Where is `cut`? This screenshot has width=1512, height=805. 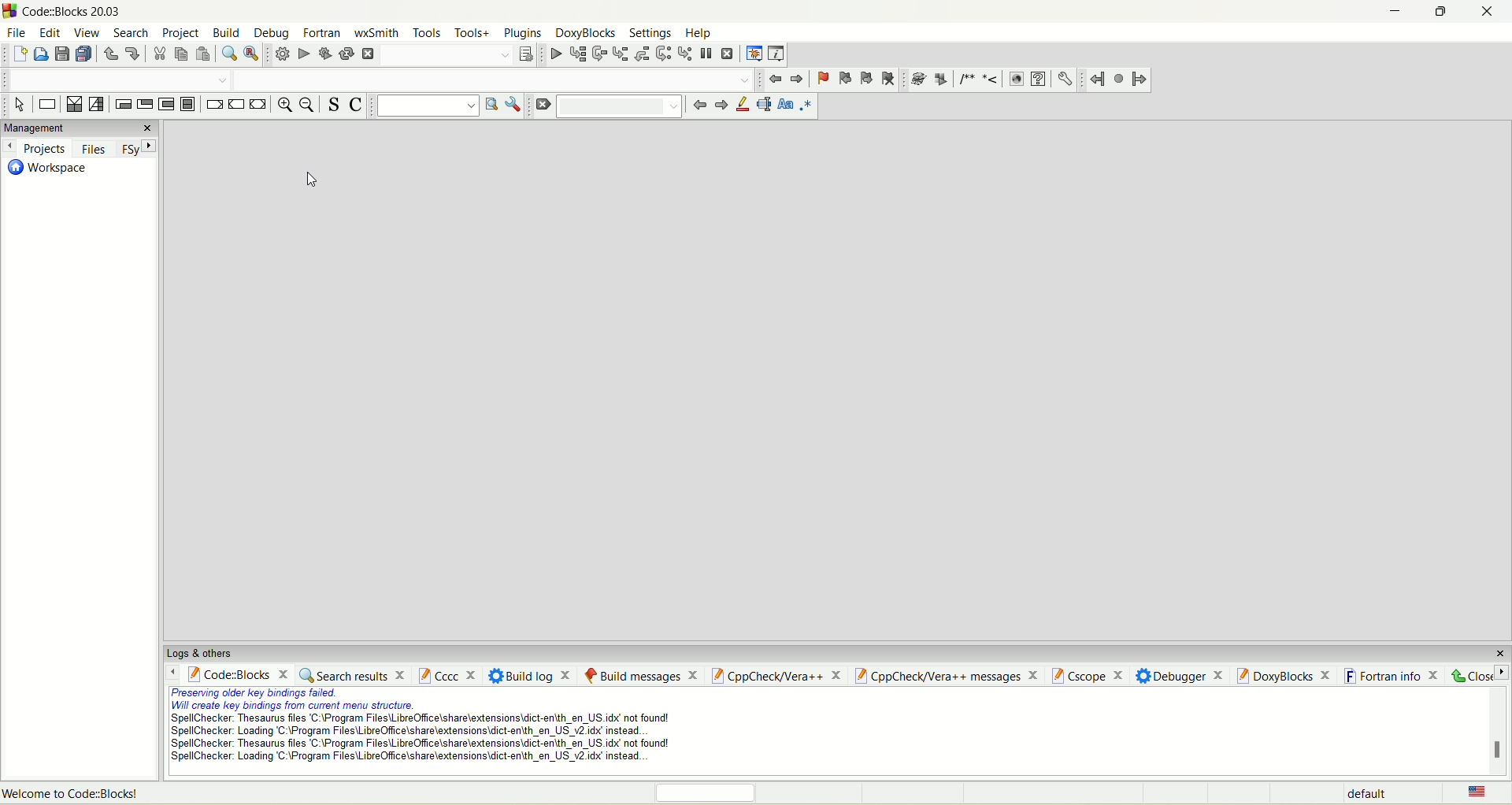
cut is located at coordinates (158, 55).